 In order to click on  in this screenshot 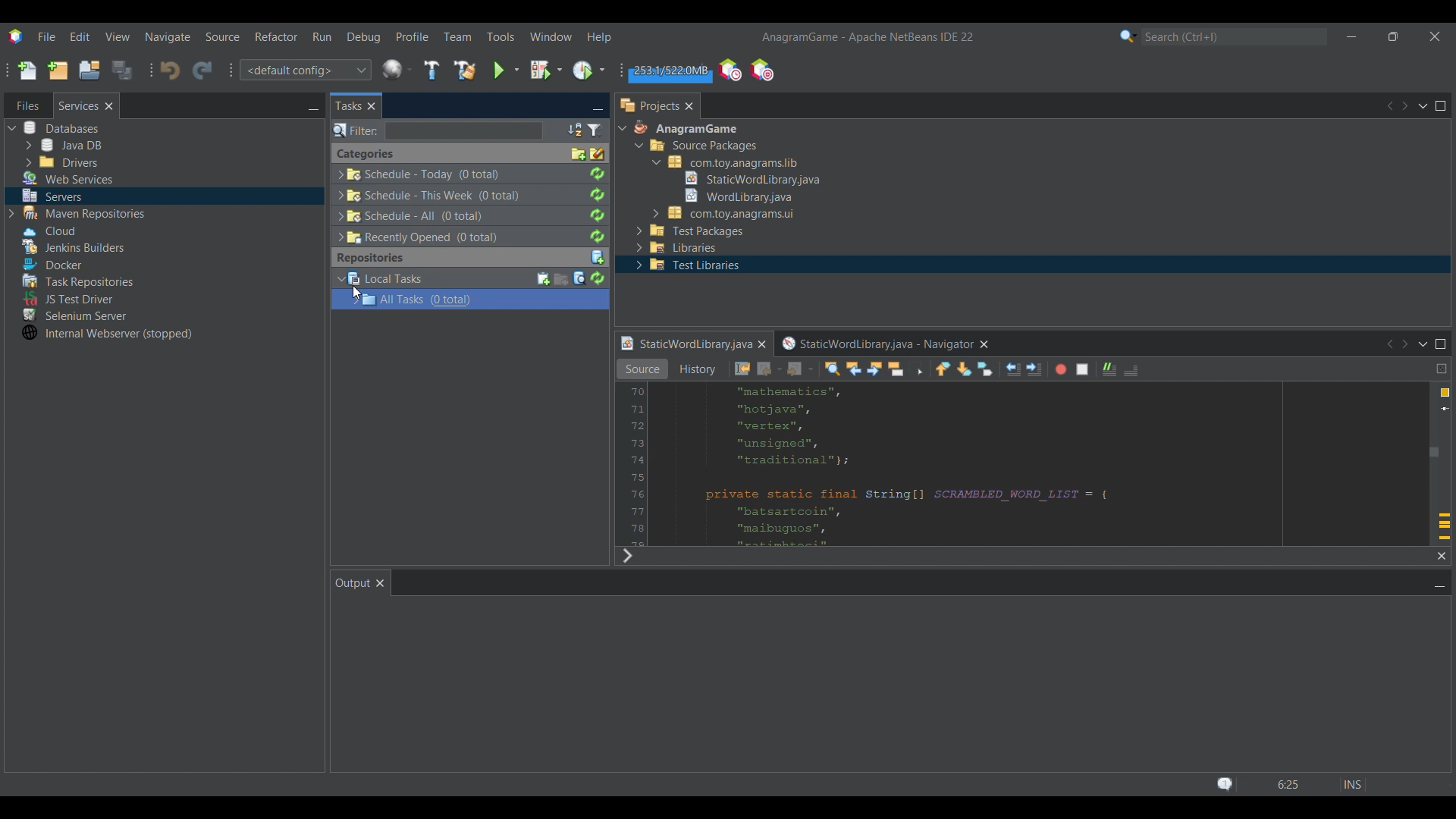, I will do `click(751, 179)`.